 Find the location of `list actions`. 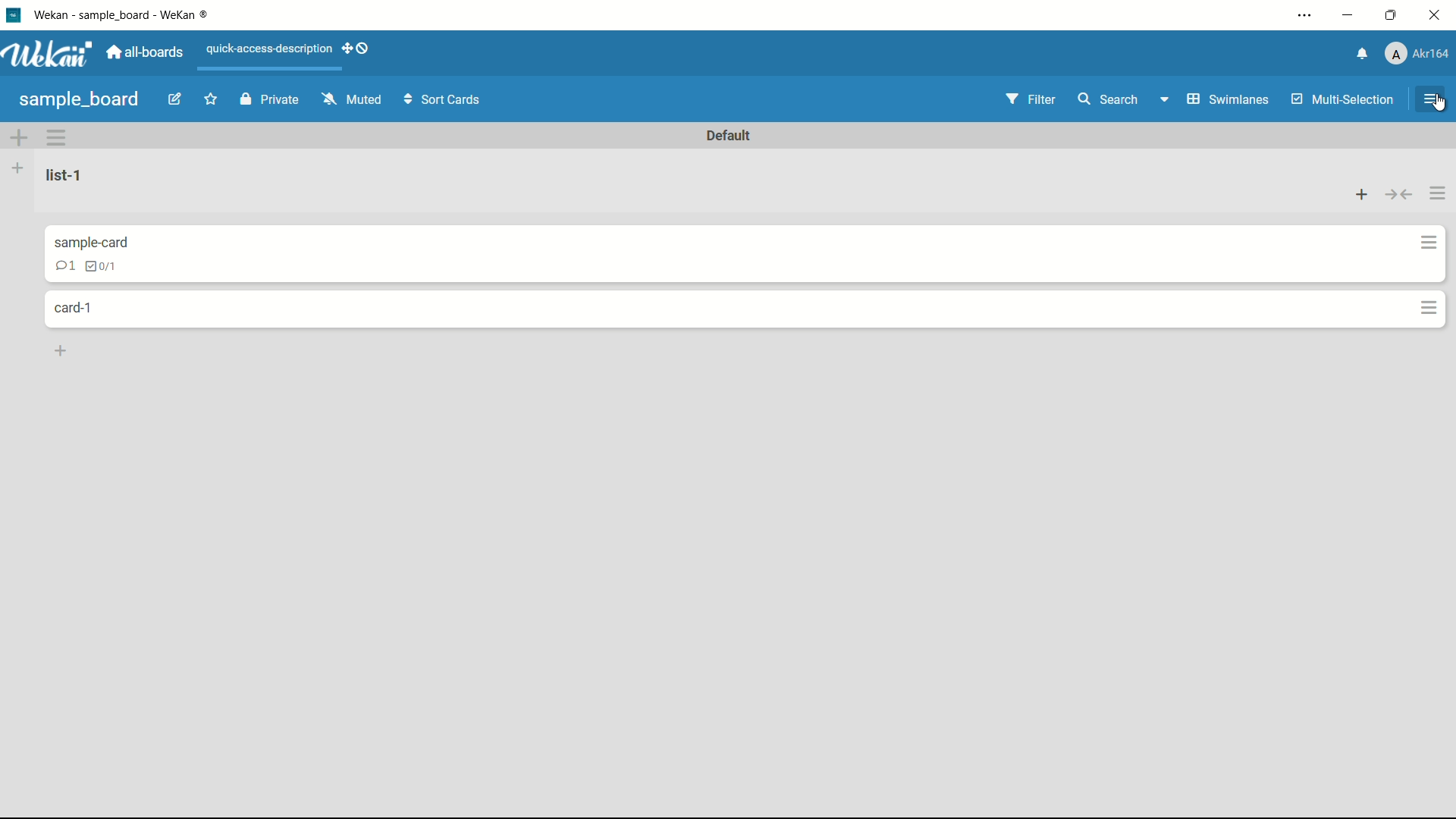

list actions is located at coordinates (1439, 195).